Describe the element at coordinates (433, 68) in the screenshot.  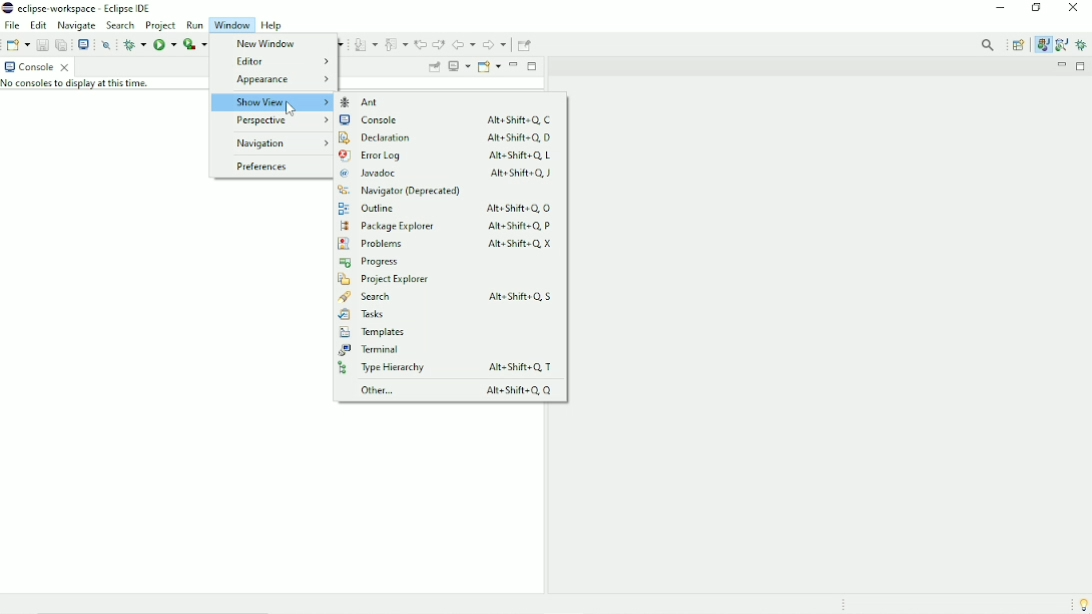
I see `Pin Console` at that location.